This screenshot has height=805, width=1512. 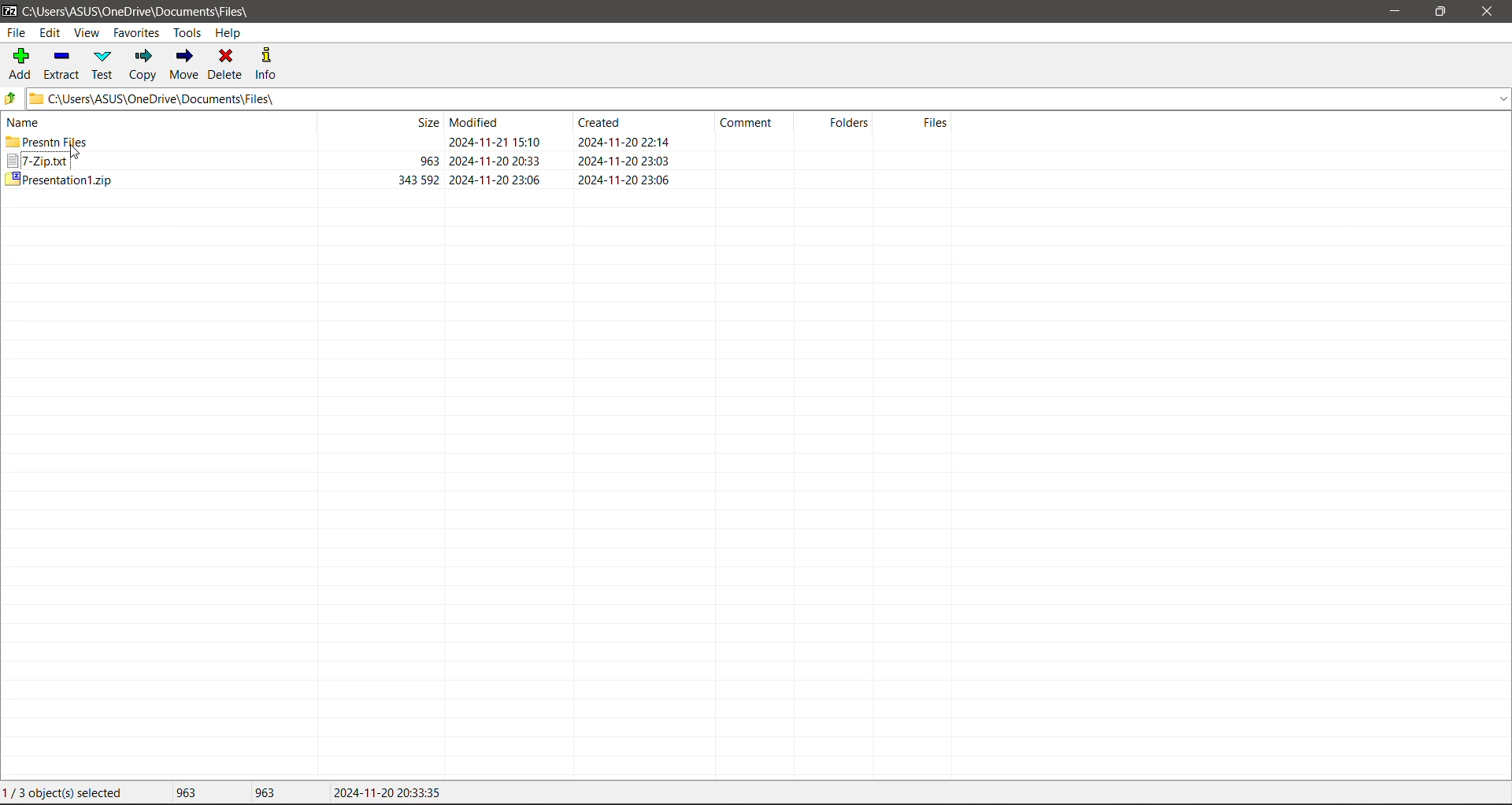 I want to click on Restore Down, so click(x=1442, y=12).